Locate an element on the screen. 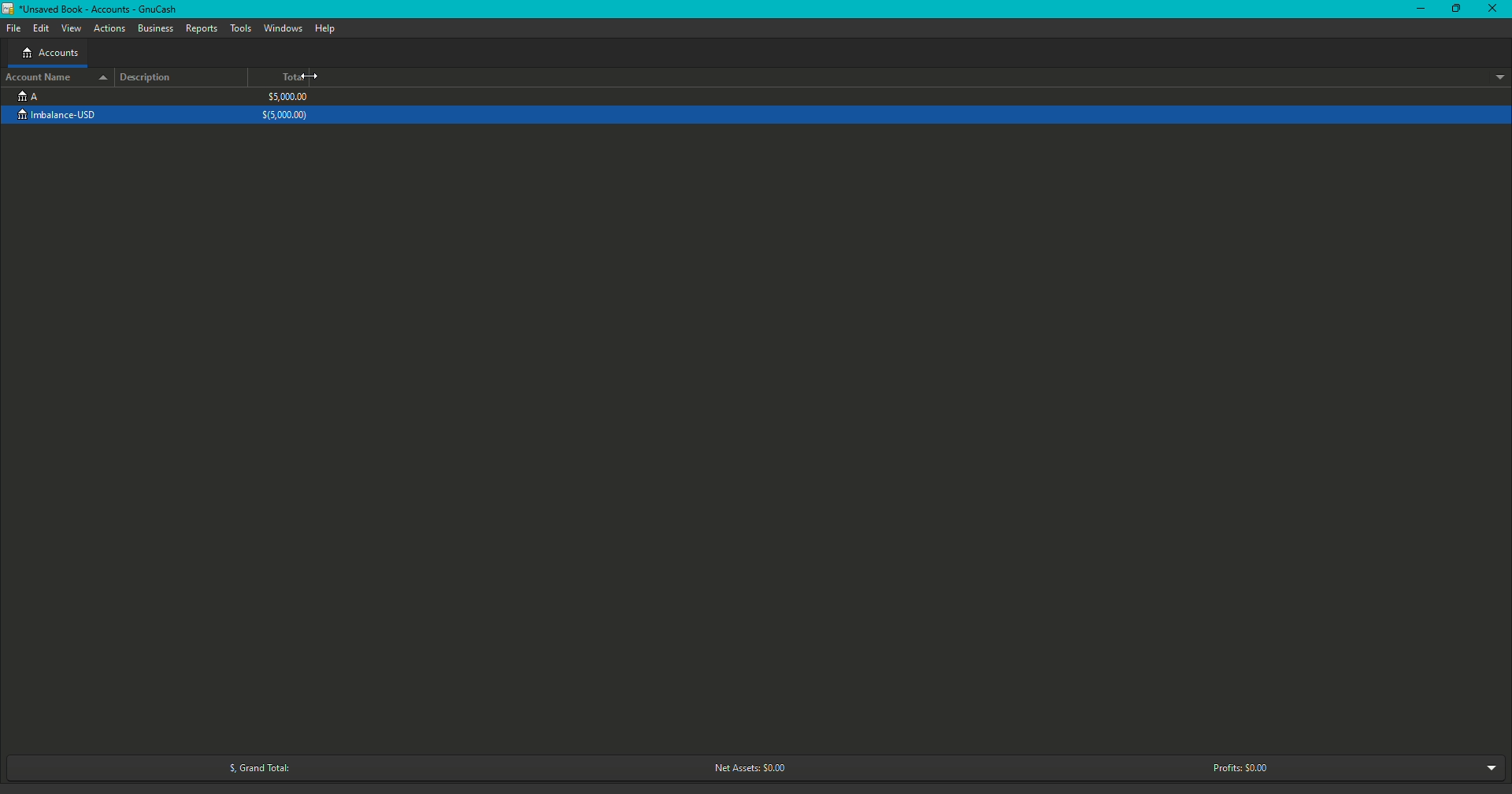 The height and width of the screenshot is (794, 1512). Accounts is located at coordinates (50, 54).